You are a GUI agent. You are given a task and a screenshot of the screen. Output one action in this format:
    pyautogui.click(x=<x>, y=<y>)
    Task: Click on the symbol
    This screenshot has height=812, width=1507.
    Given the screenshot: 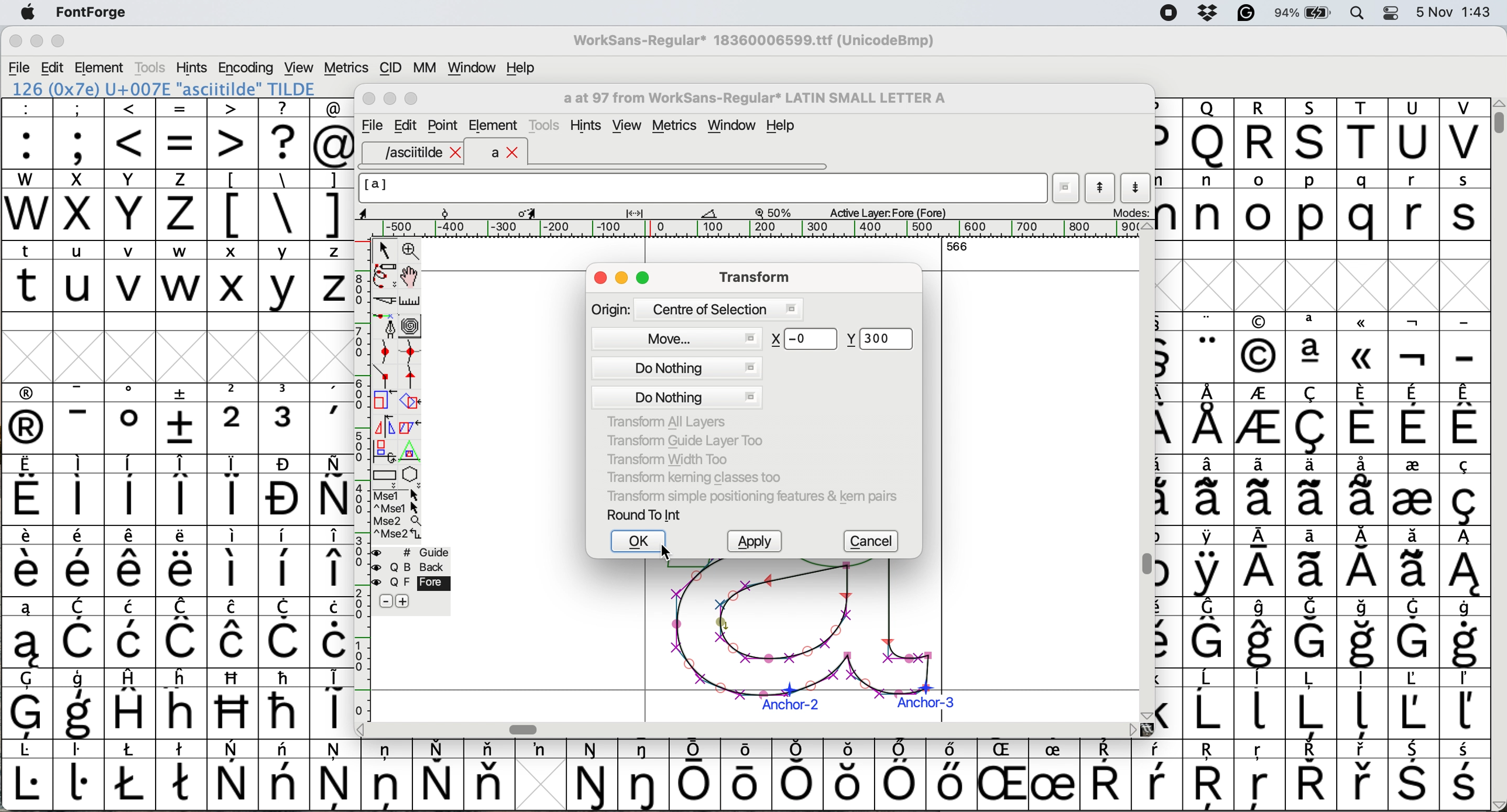 What is the action you would take?
    pyautogui.click(x=1210, y=419)
    